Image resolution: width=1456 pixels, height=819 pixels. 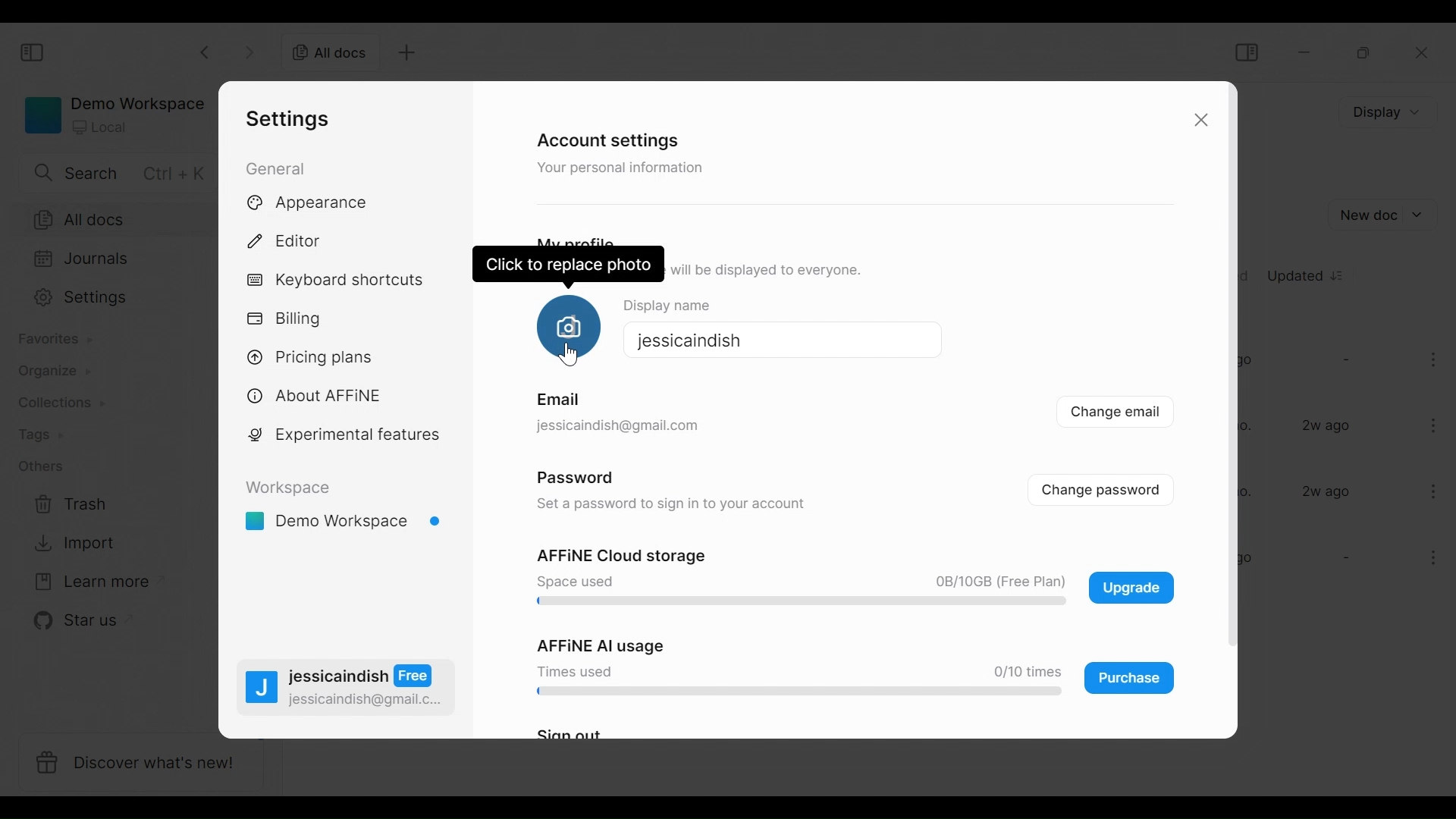 I want to click on Appearance, so click(x=315, y=203).